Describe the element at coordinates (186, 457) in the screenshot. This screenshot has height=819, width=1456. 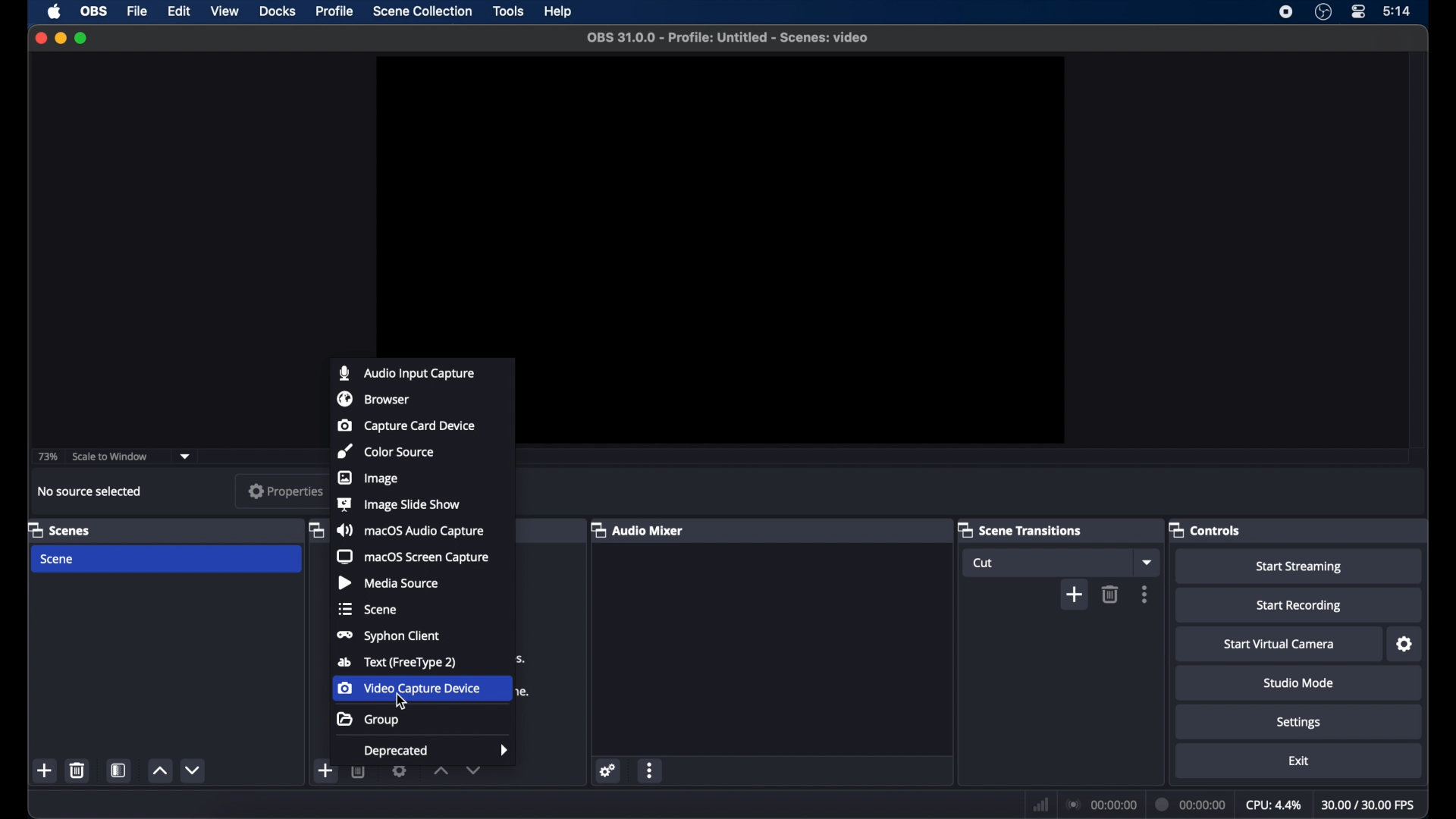
I see `dropdown` at that location.